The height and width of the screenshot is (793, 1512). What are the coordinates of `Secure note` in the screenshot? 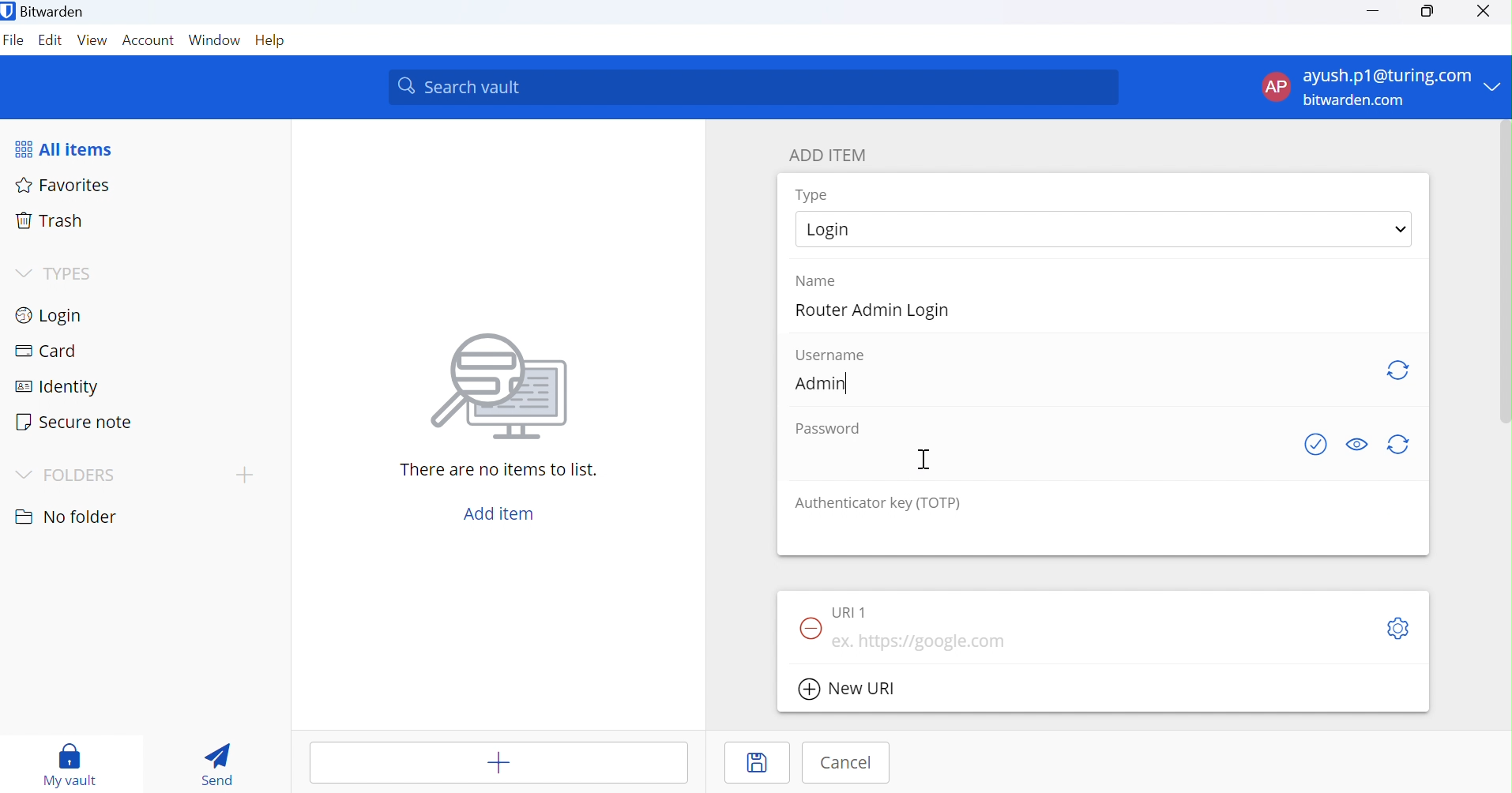 It's located at (77, 421).